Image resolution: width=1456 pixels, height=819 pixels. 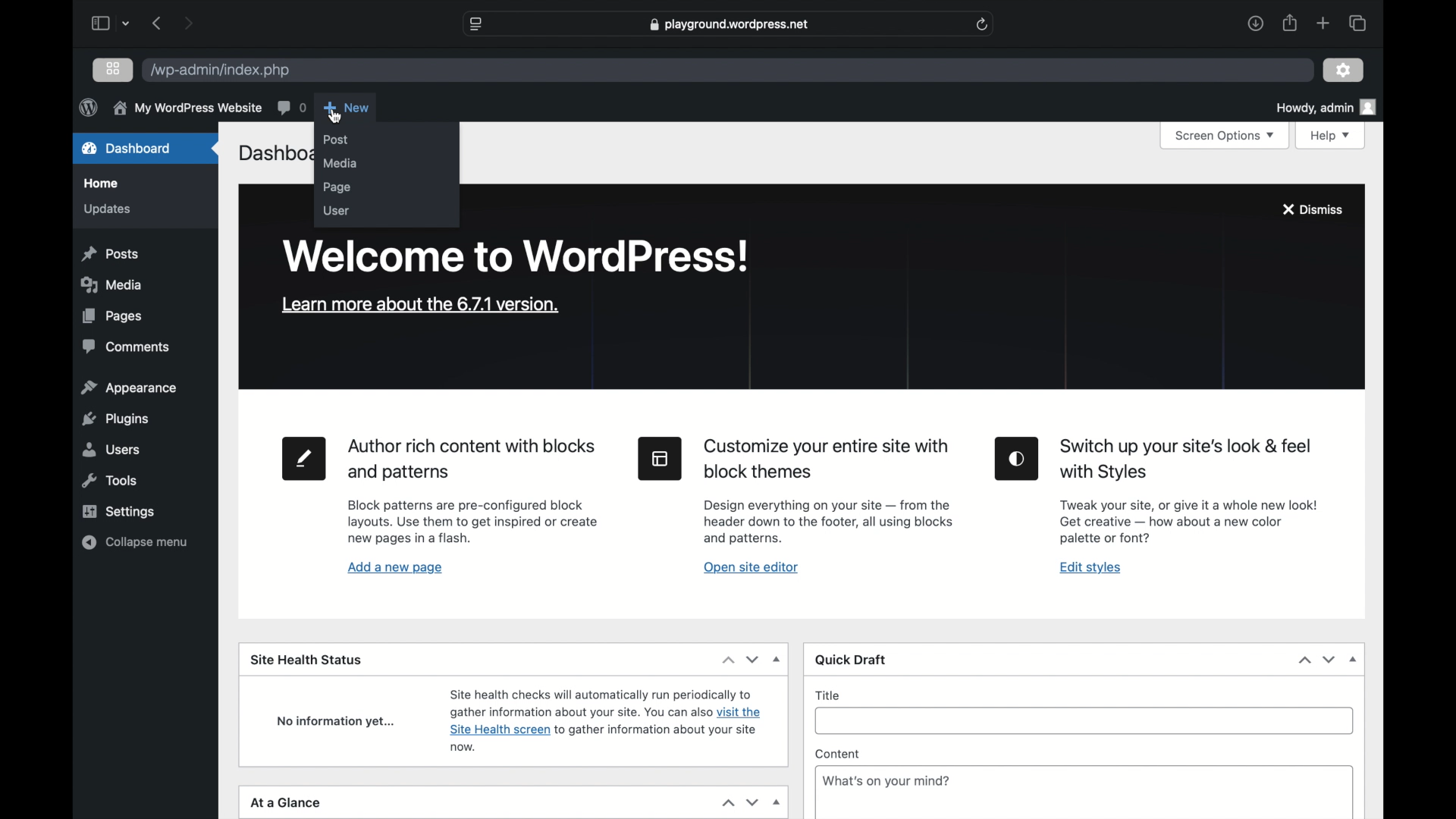 What do you see at coordinates (187, 108) in the screenshot?
I see `my wordpress website` at bounding box center [187, 108].